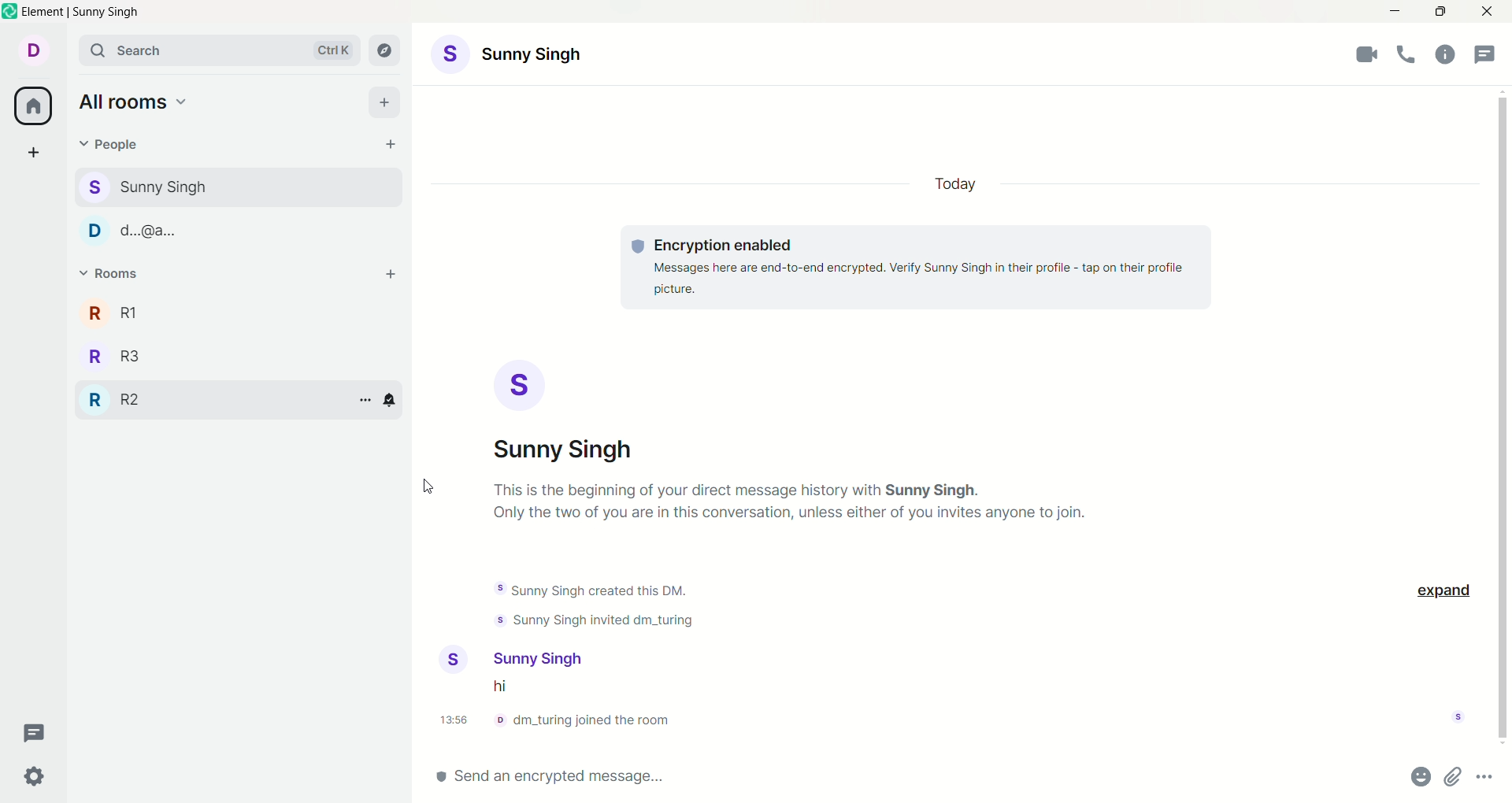  Describe the element at coordinates (1445, 54) in the screenshot. I see `room info` at that location.